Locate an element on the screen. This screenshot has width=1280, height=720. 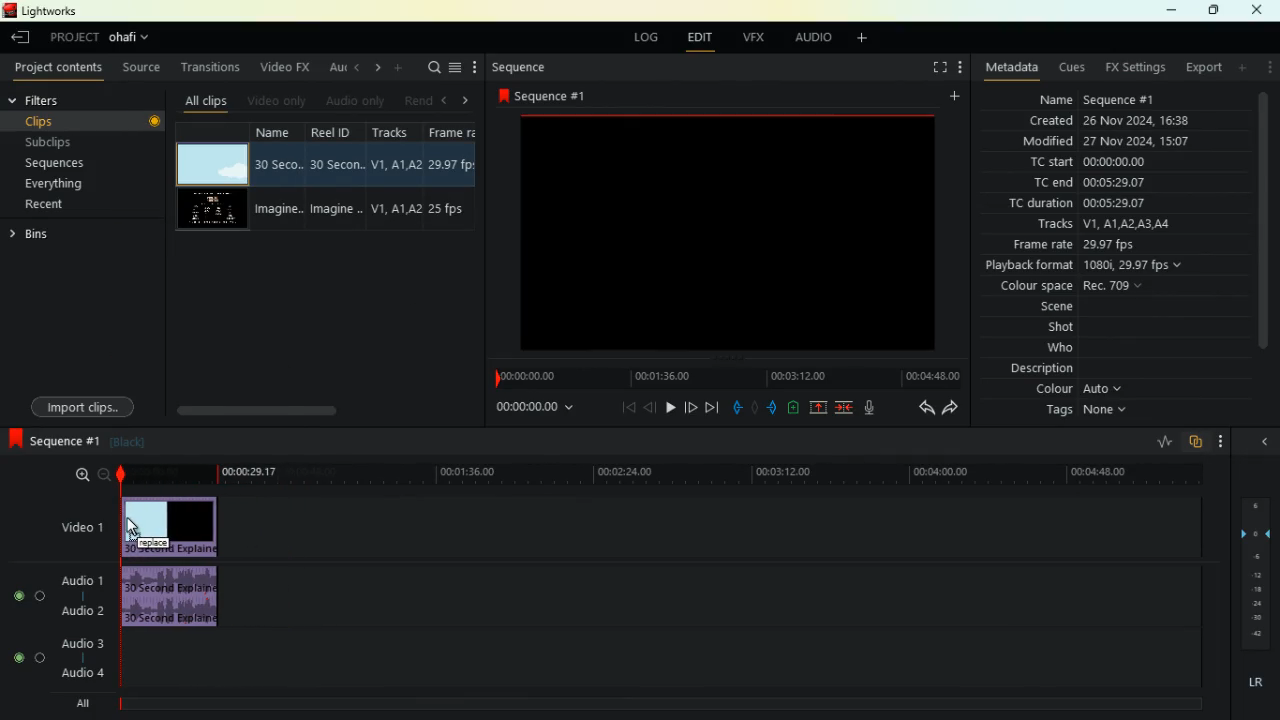
back is located at coordinates (22, 39).